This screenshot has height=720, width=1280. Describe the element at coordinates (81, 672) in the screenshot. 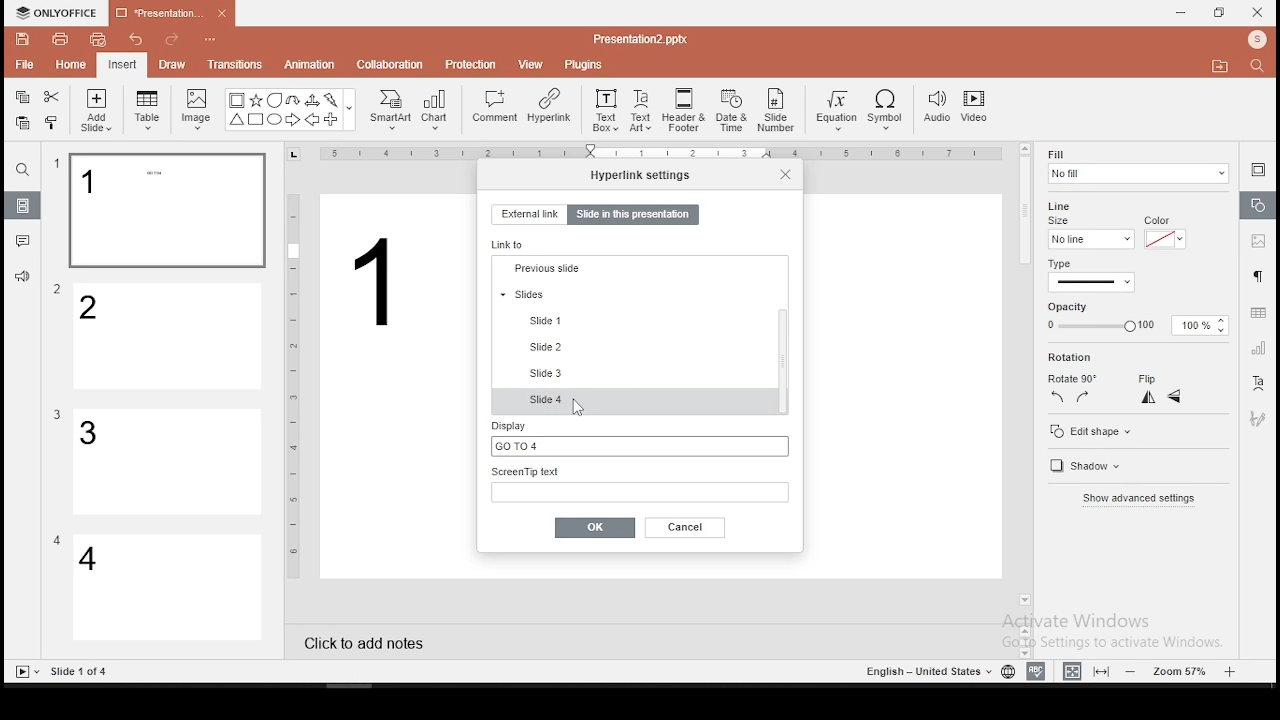

I see `` at that location.